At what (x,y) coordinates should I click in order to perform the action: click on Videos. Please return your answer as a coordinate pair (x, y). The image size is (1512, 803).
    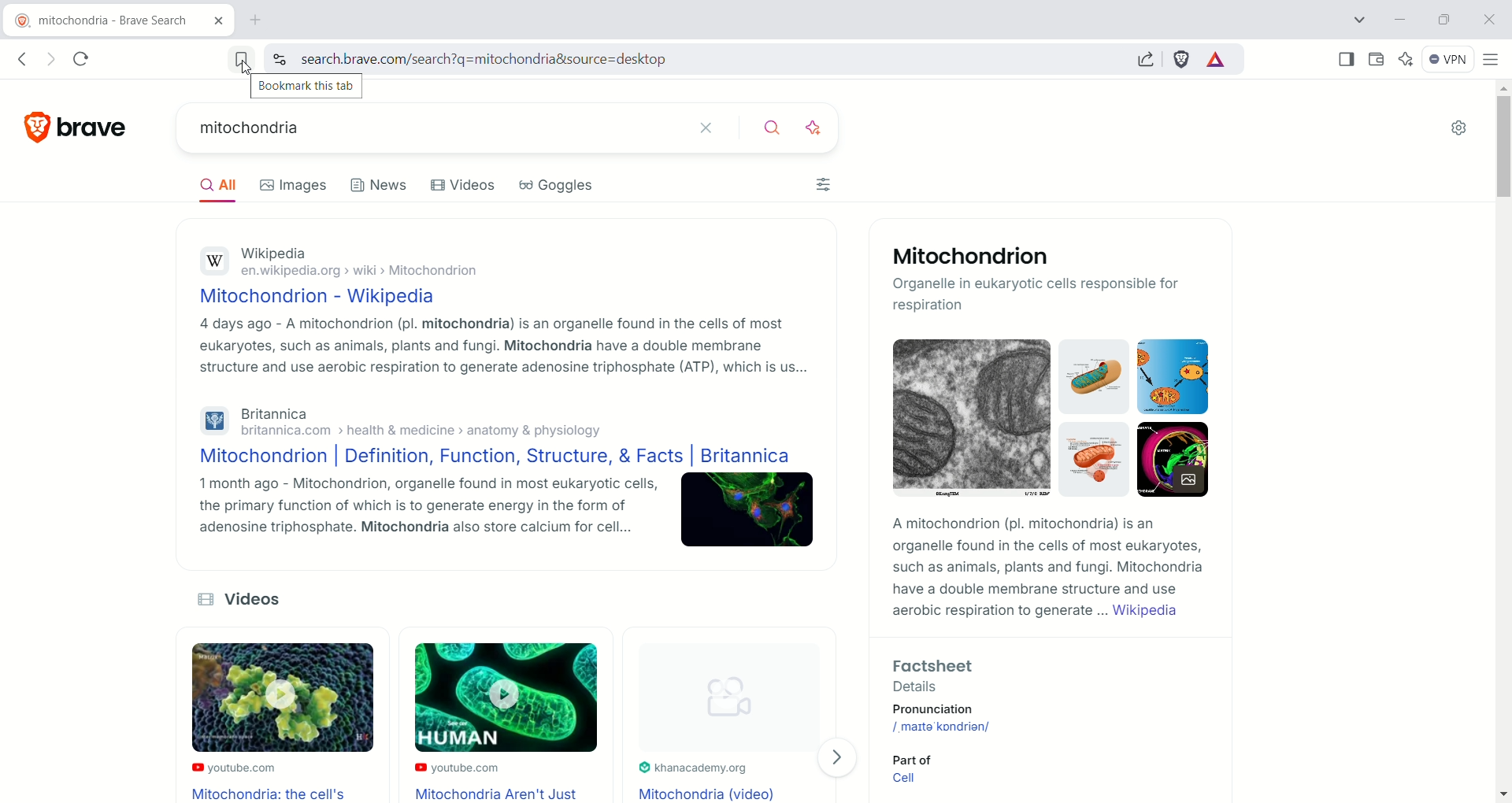
    Looking at the image, I should click on (254, 599).